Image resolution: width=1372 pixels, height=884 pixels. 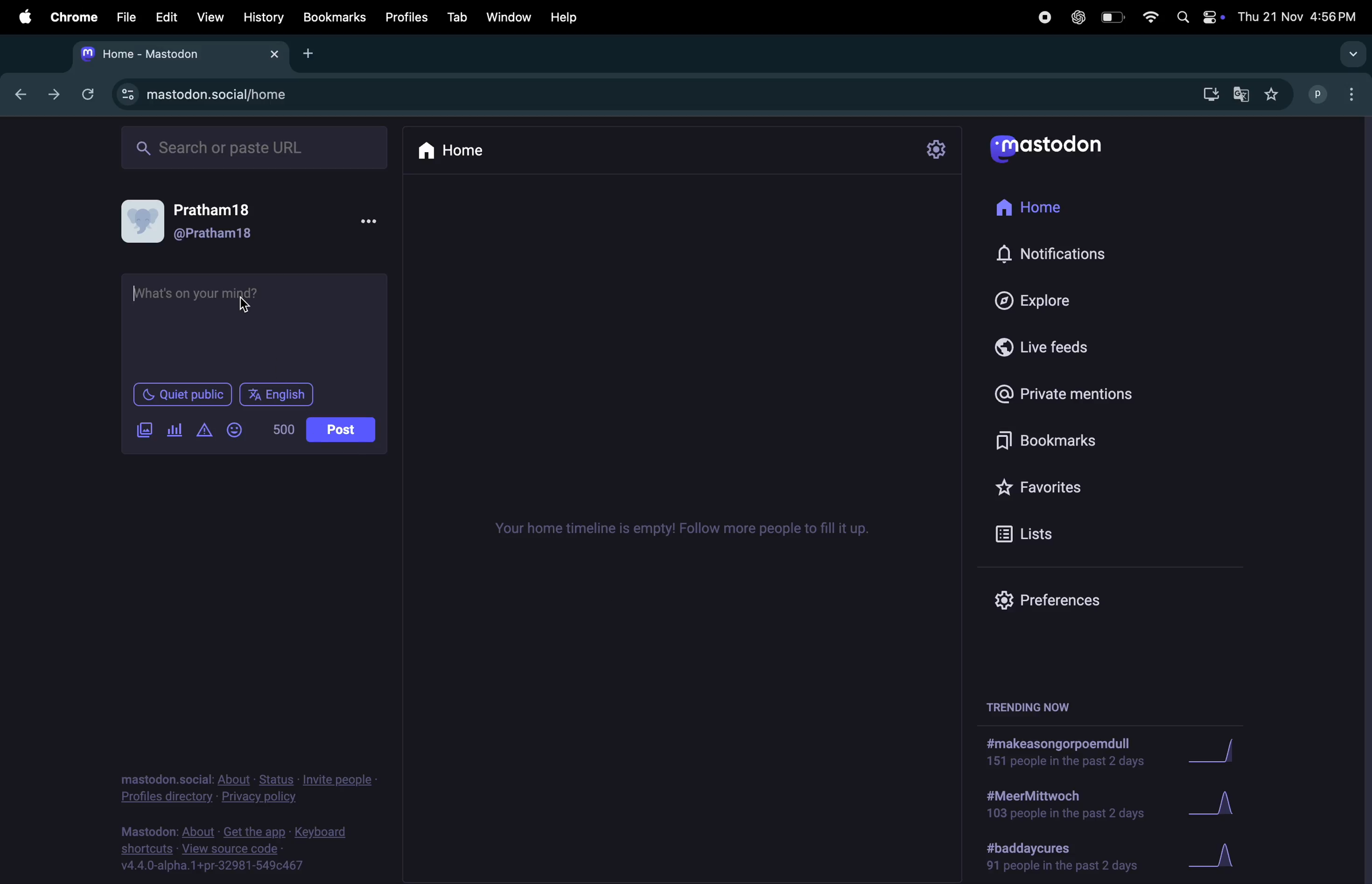 What do you see at coordinates (85, 93) in the screenshot?
I see `refresh` at bounding box center [85, 93].